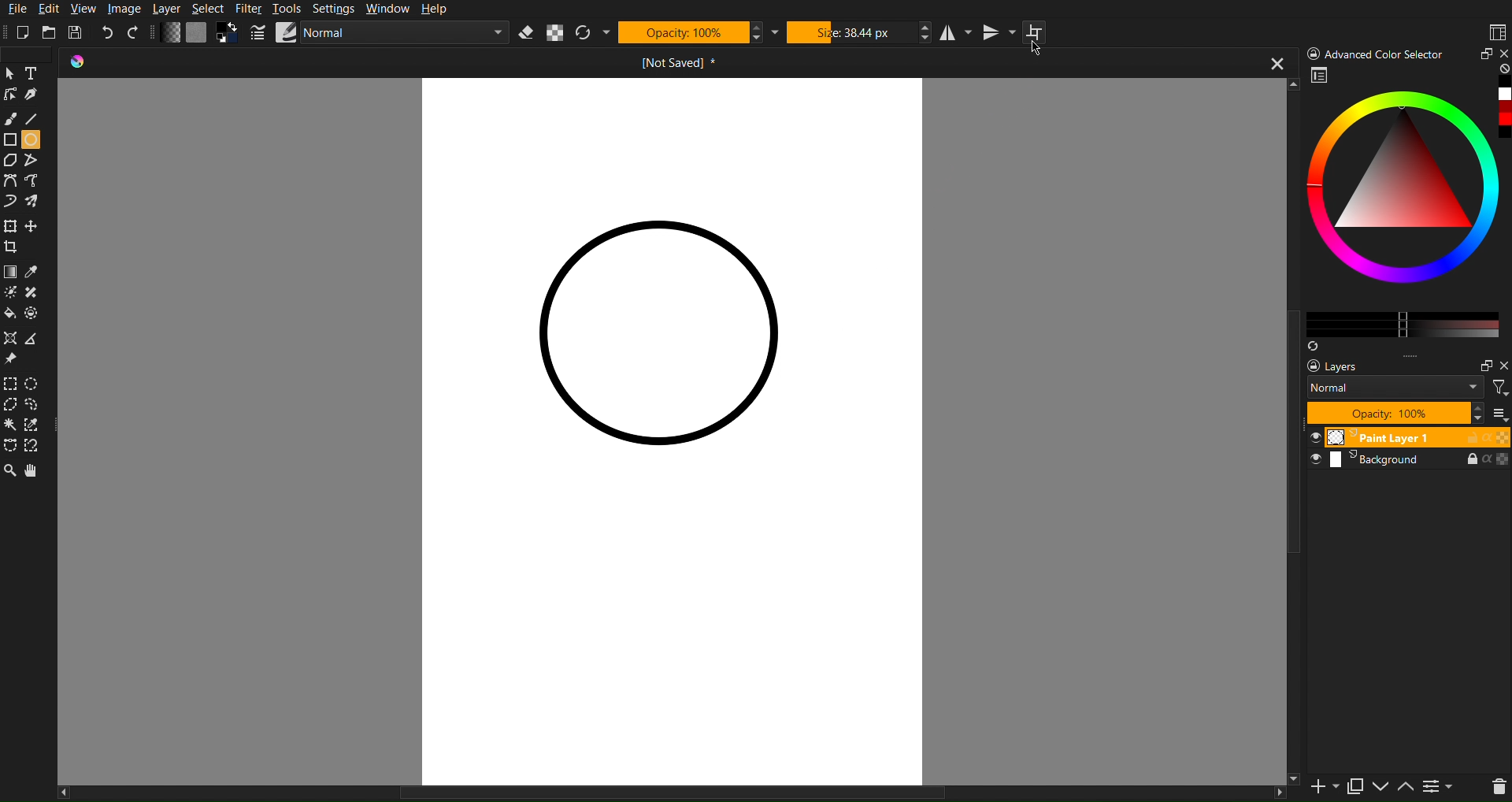 The height and width of the screenshot is (802, 1512). Describe the element at coordinates (337, 8) in the screenshot. I see `Settings` at that location.